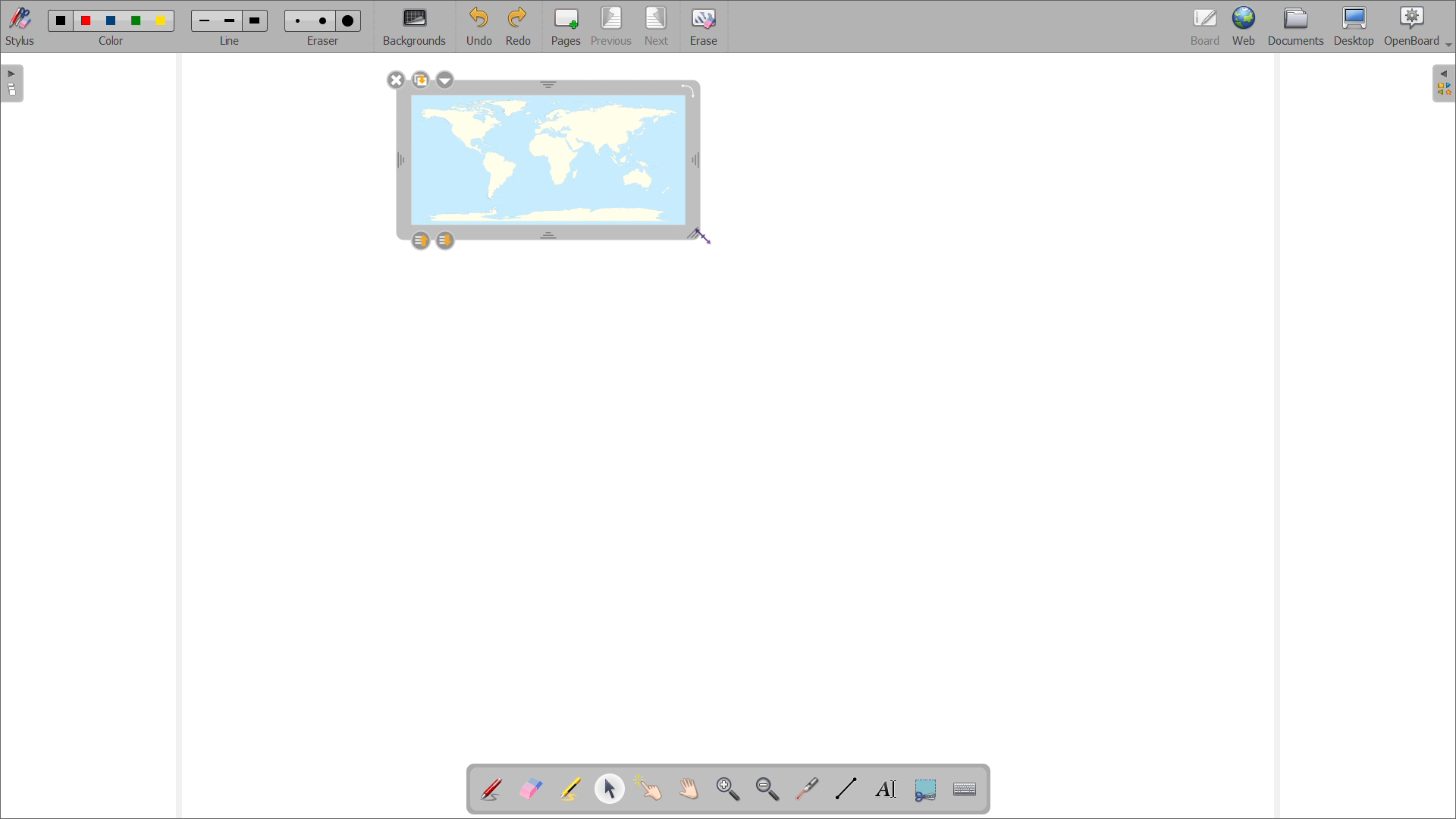 This screenshot has width=1456, height=819. What do you see at coordinates (478, 26) in the screenshot?
I see `undo` at bounding box center [478, 26].